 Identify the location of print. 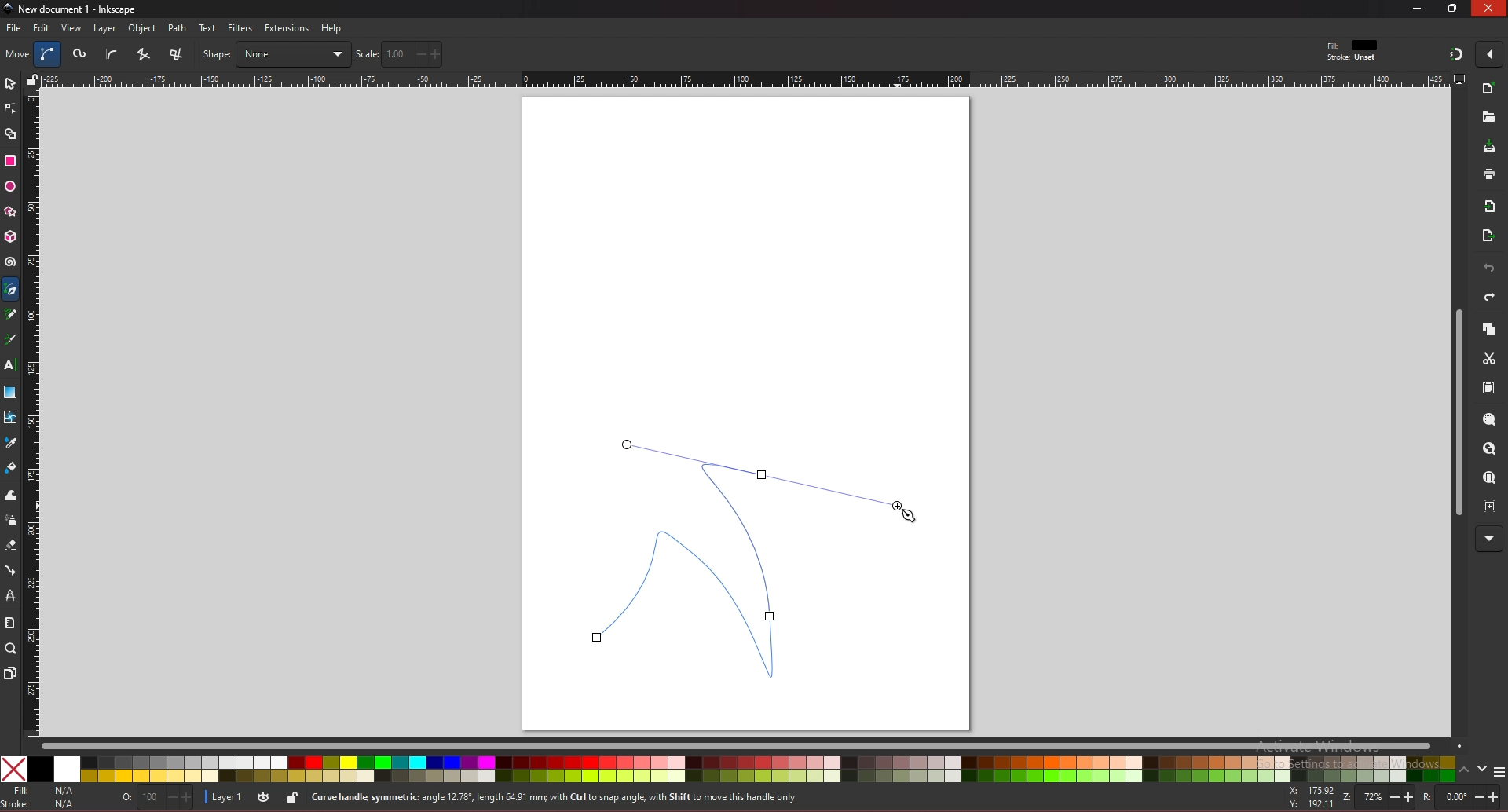
(1489, 174).